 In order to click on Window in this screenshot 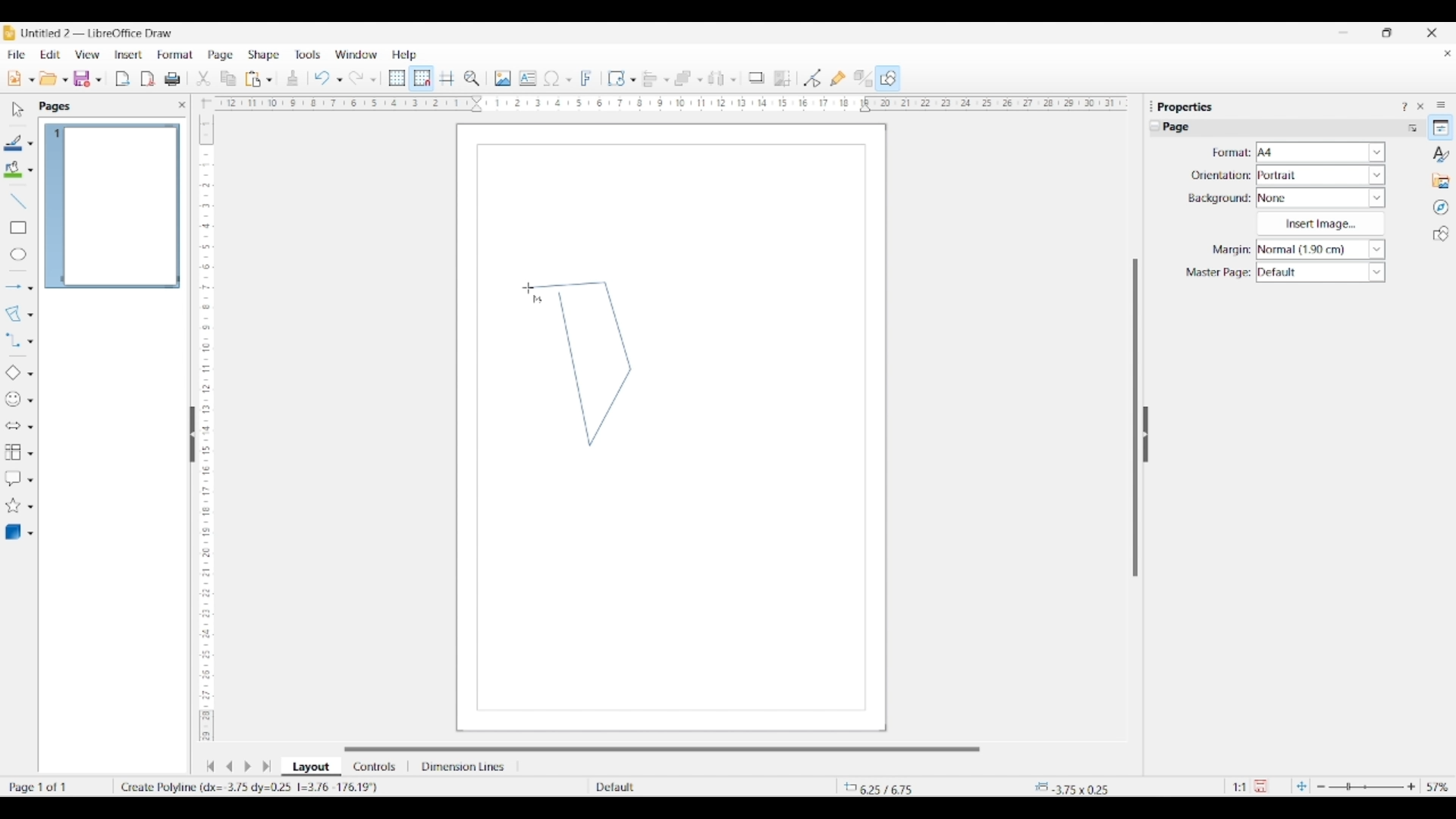, I will do `click(356, 55)`.